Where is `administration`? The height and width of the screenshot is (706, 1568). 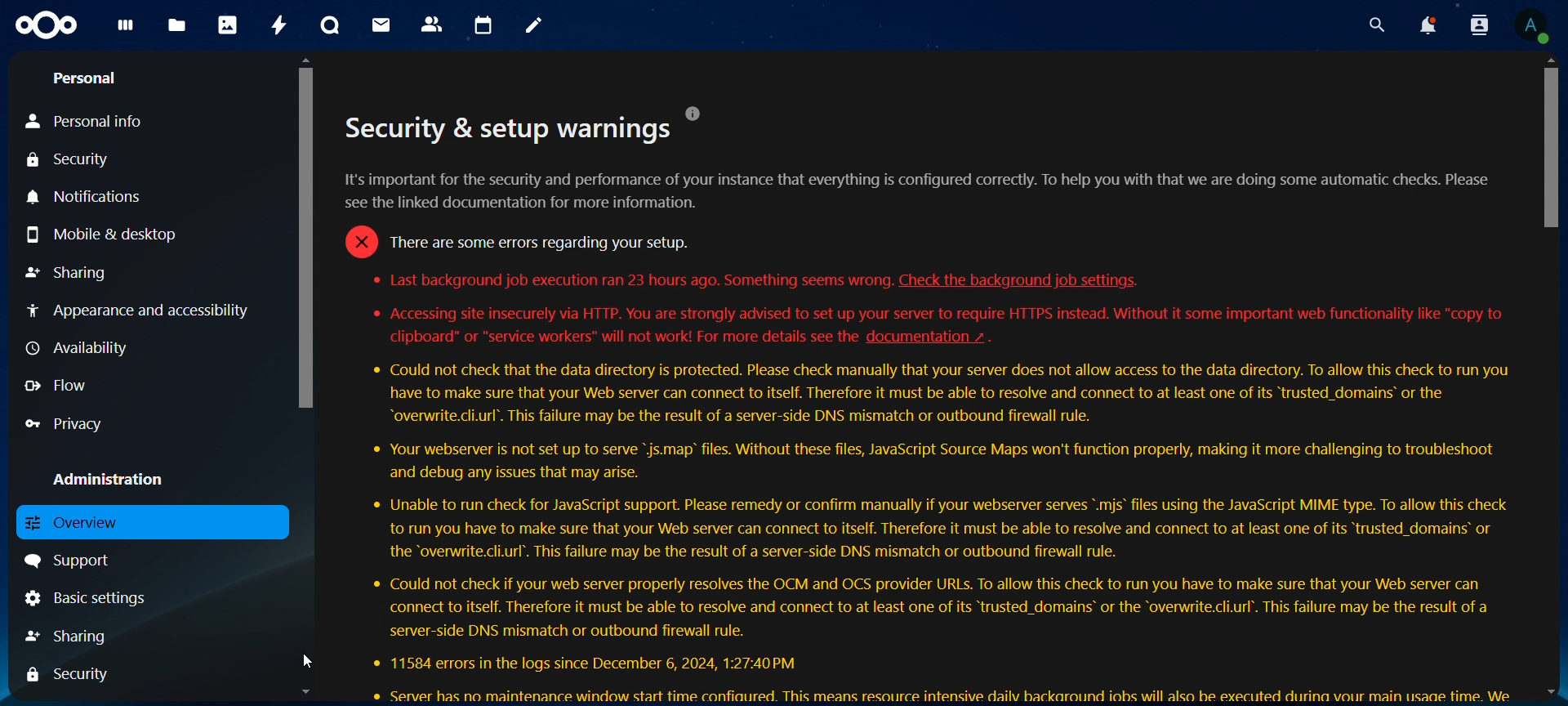
administration is located at coordinates (122, 480).